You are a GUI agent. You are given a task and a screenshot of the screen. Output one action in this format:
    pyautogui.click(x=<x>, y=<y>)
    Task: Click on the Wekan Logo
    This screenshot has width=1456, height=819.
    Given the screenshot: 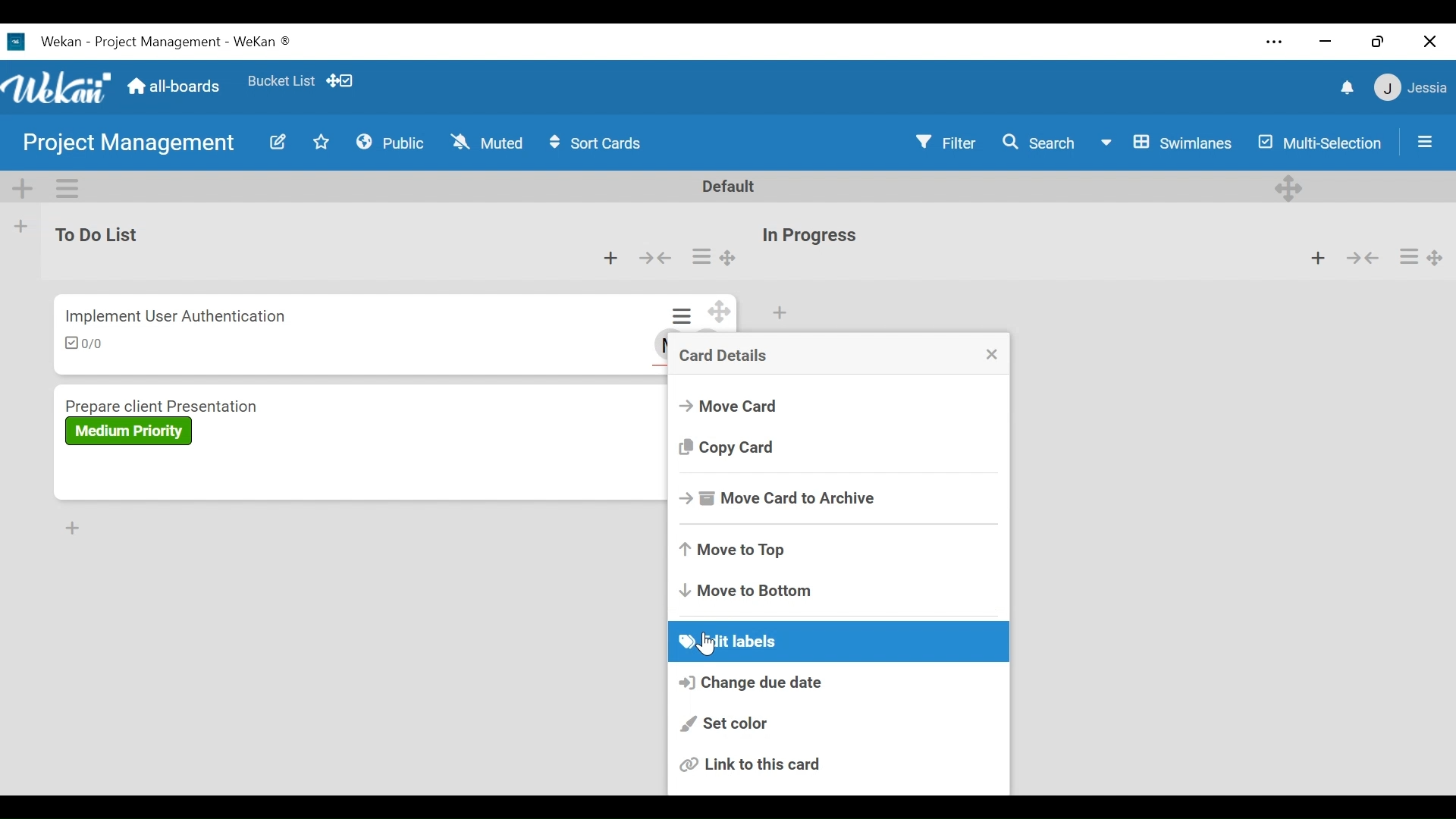 What is the action you would take?
    pyautogui.click(x=56, y=84)
    